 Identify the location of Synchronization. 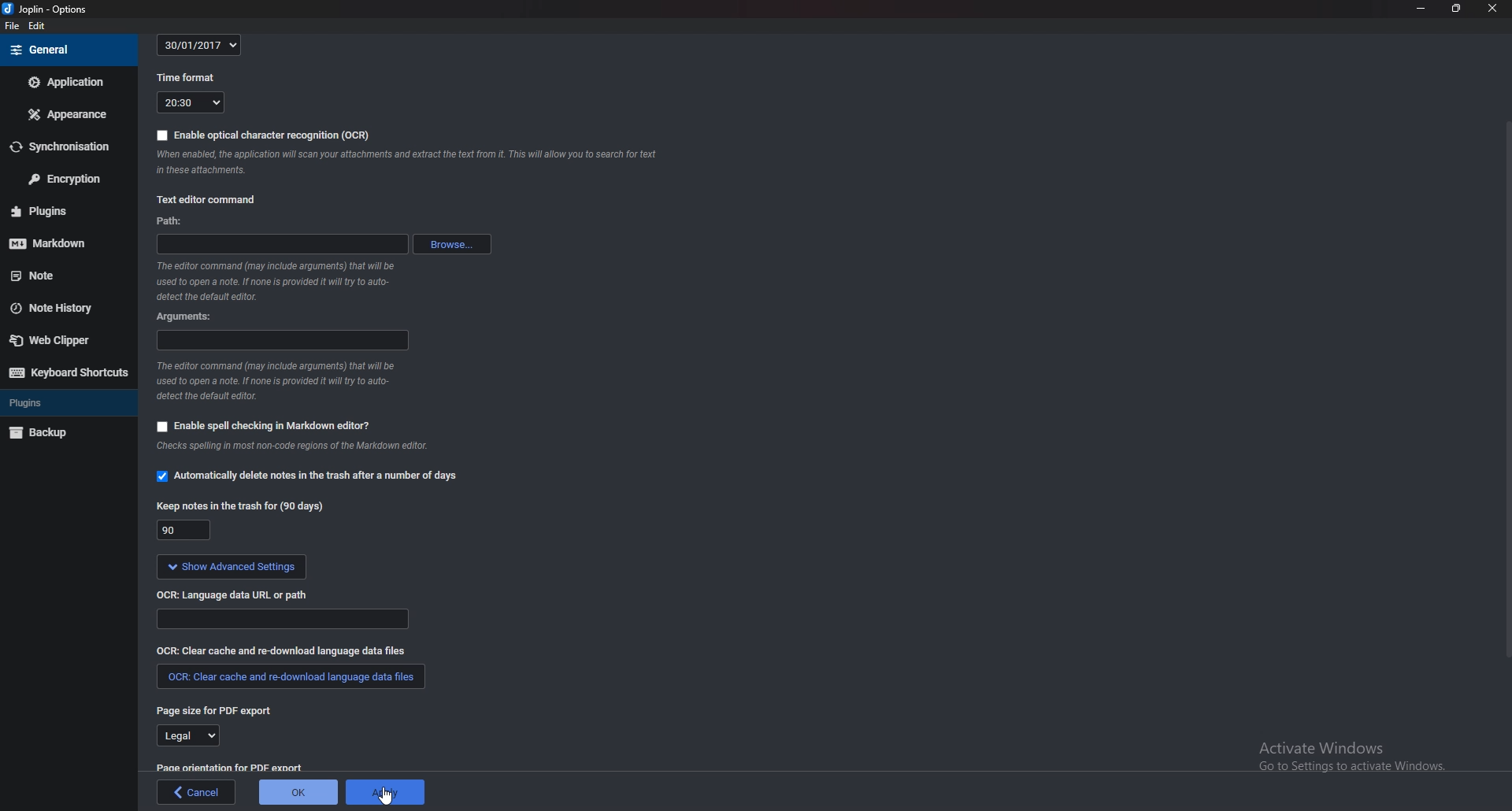
(64, 146).